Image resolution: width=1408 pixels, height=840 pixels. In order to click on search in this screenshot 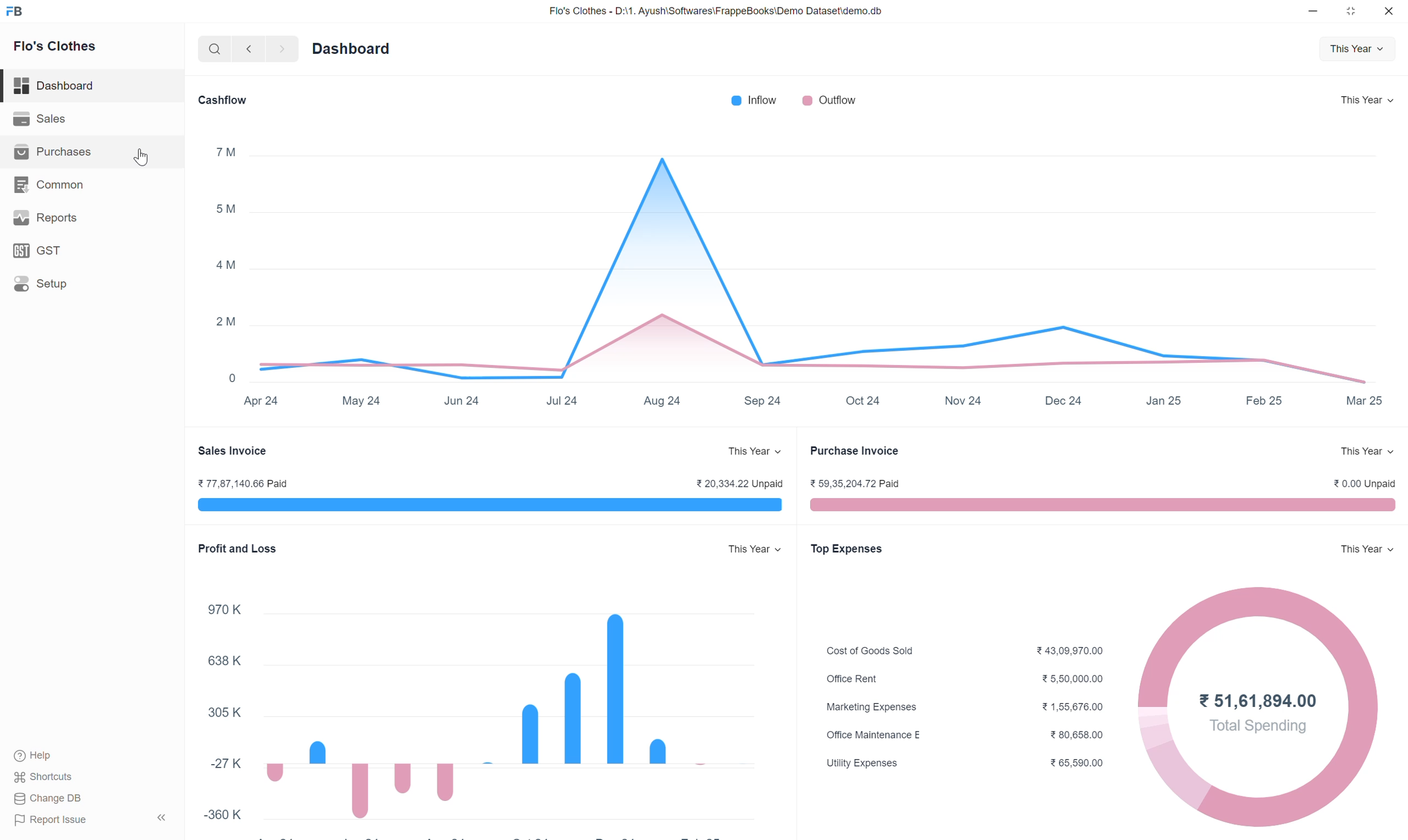, I will do `click(216, 50)`.